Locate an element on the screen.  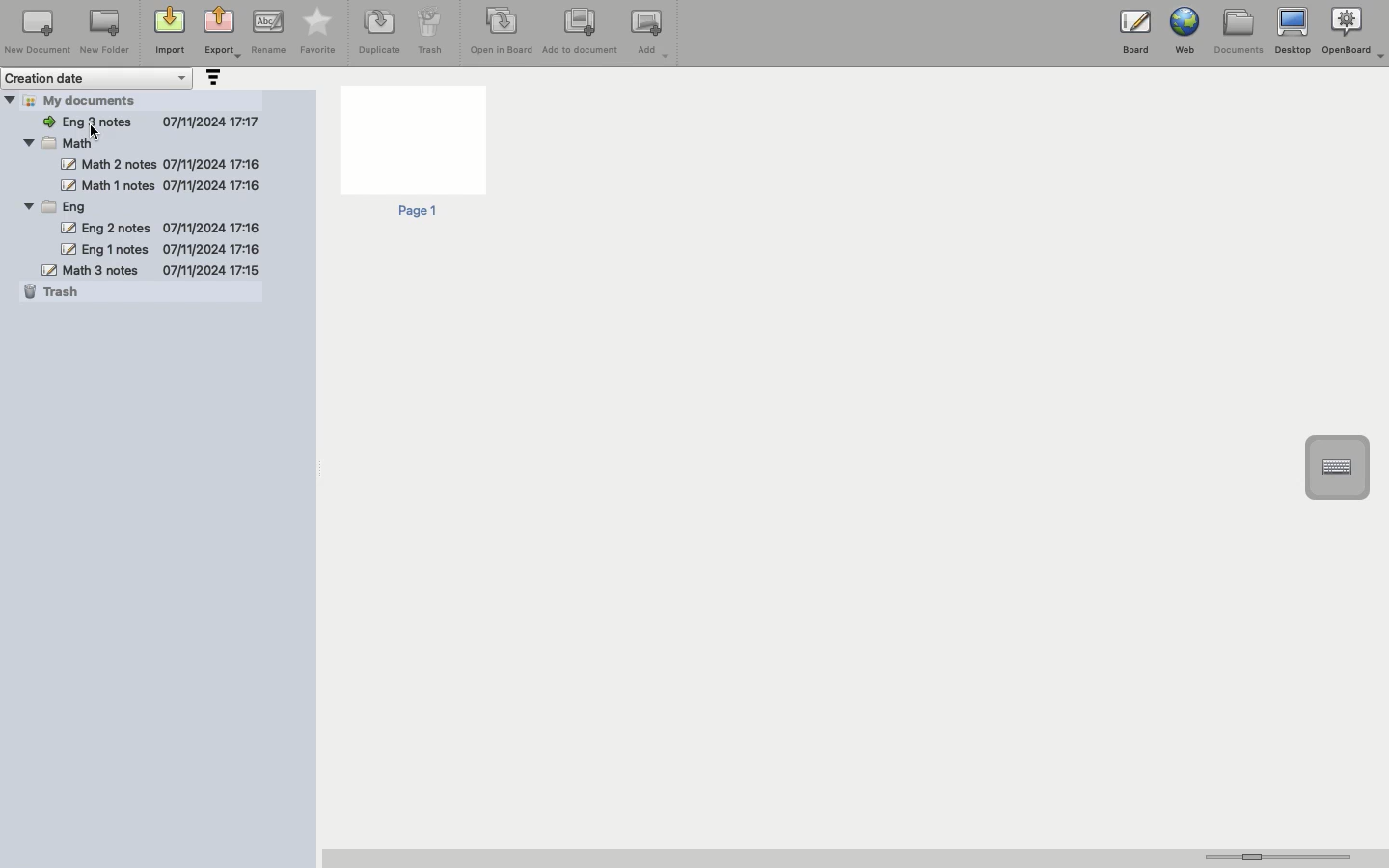
Math 2 notes is located at coordinates (162, 164).